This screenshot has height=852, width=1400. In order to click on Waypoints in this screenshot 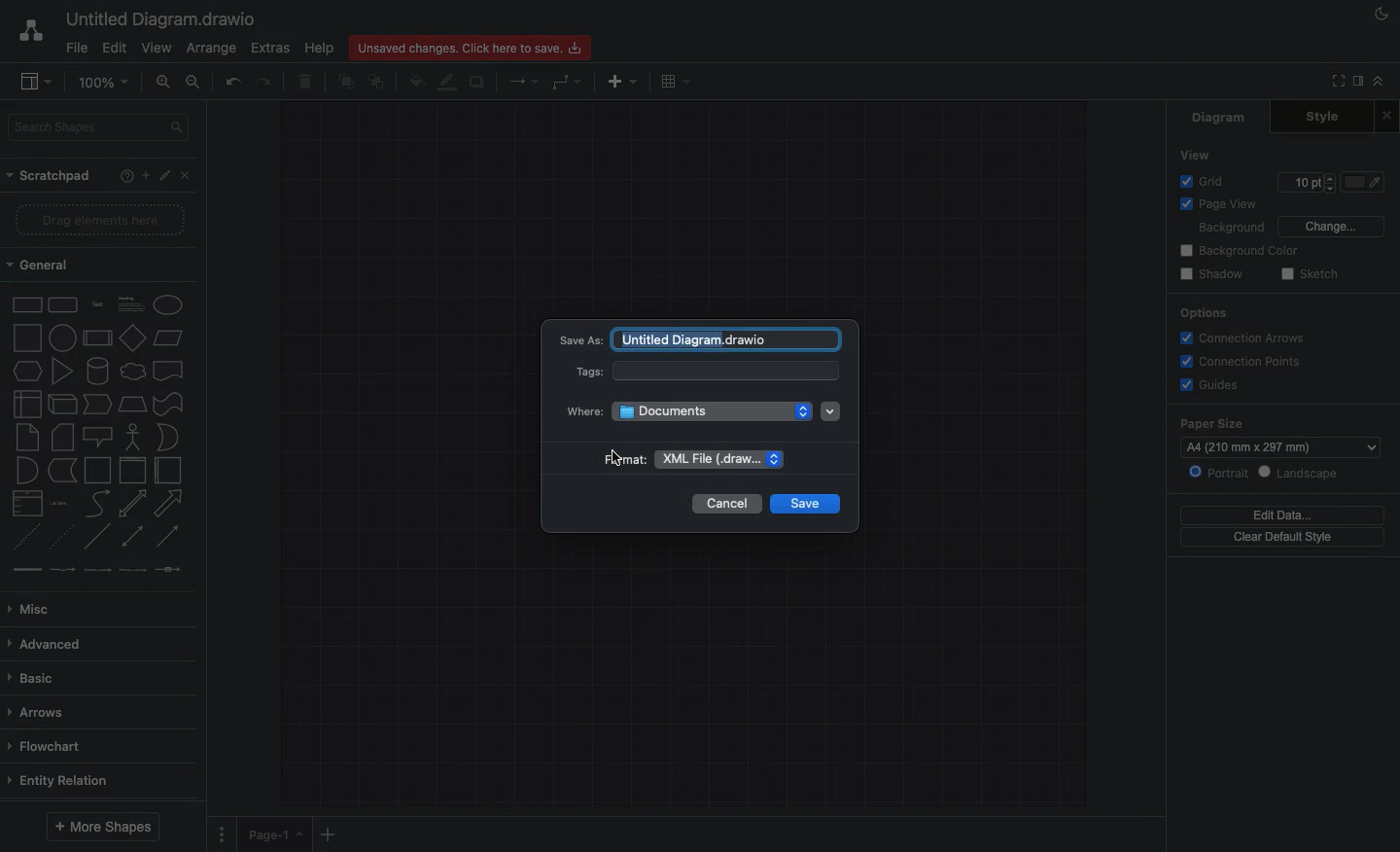, I will do `click(567, 83)`.